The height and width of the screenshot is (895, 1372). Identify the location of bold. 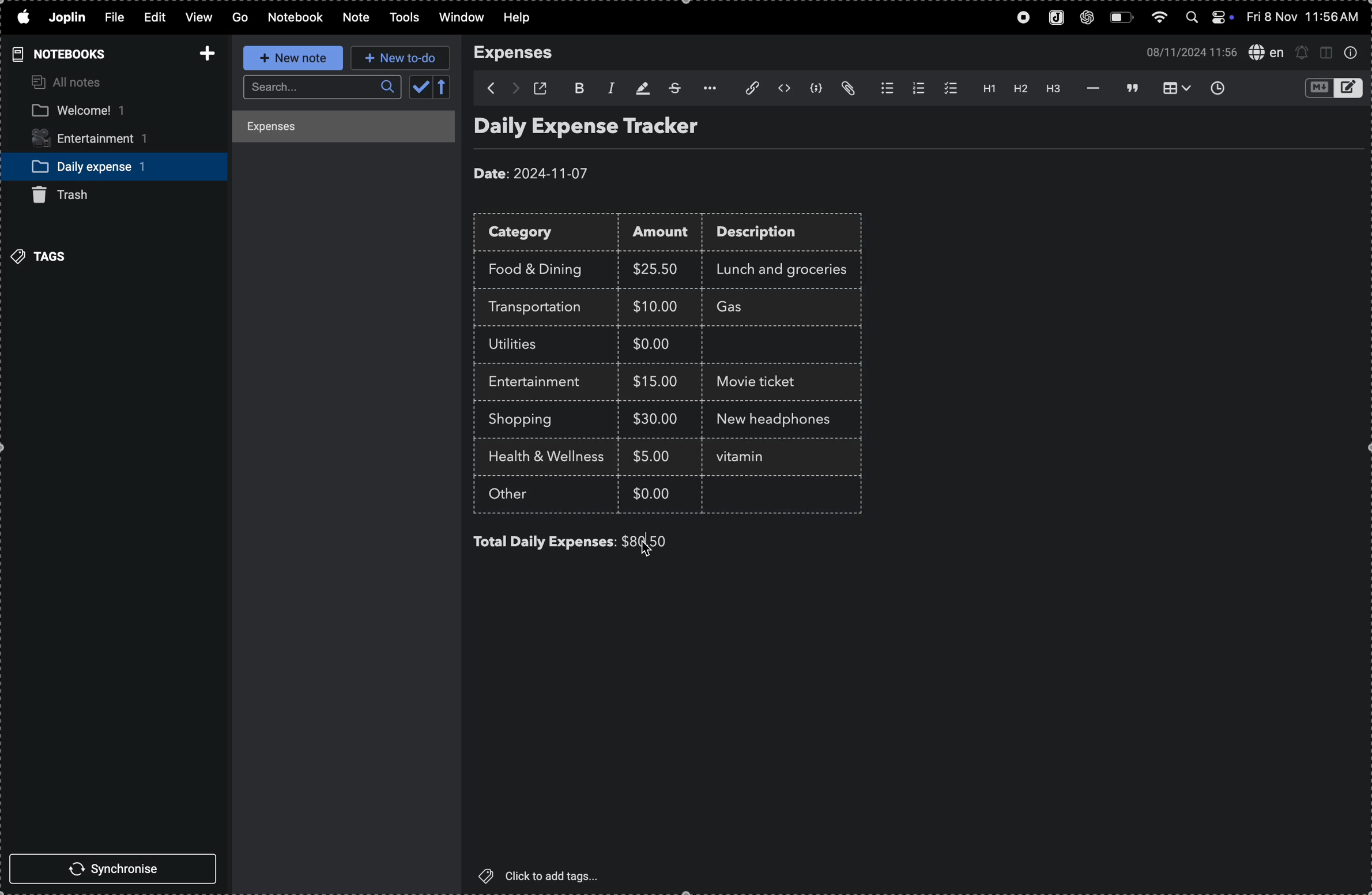
(578, 87).